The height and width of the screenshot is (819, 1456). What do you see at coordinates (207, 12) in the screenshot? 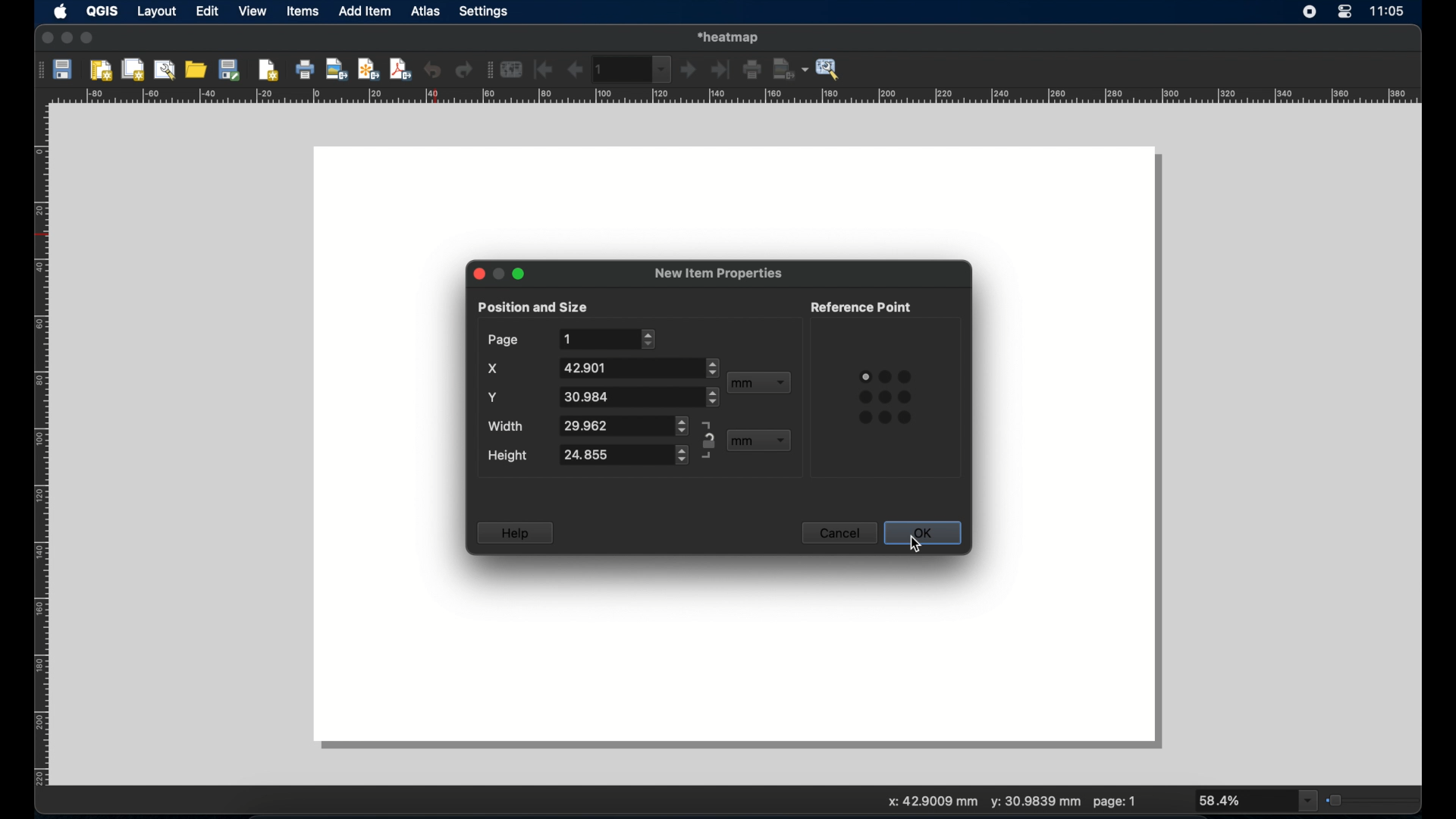
I see `edit` at bounding box center [207, 12].